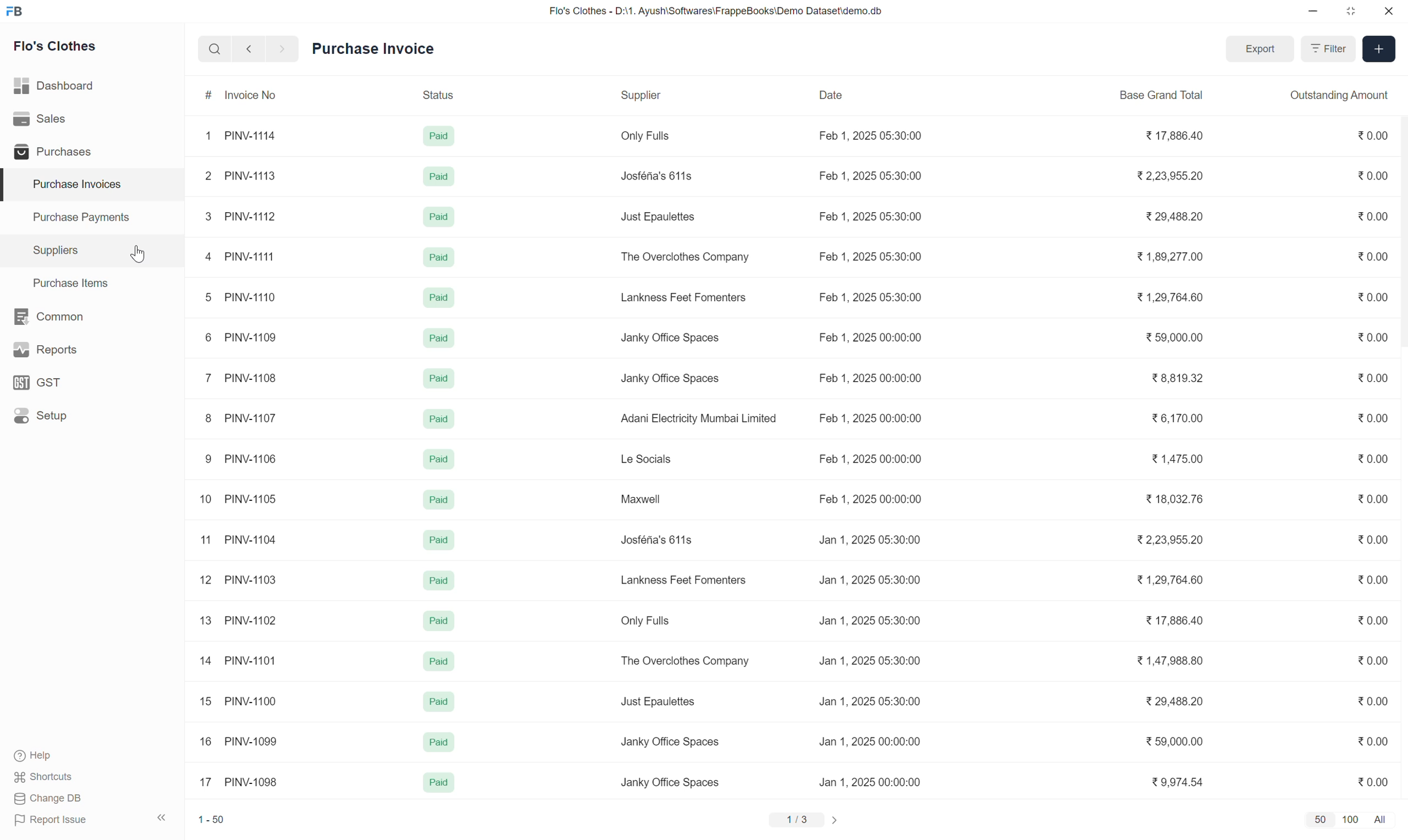 The image size is (1408, 840). What do you see at coordinates (215, 820) in the screenshot?
I see `1-50` at bounding box center [215, 820].